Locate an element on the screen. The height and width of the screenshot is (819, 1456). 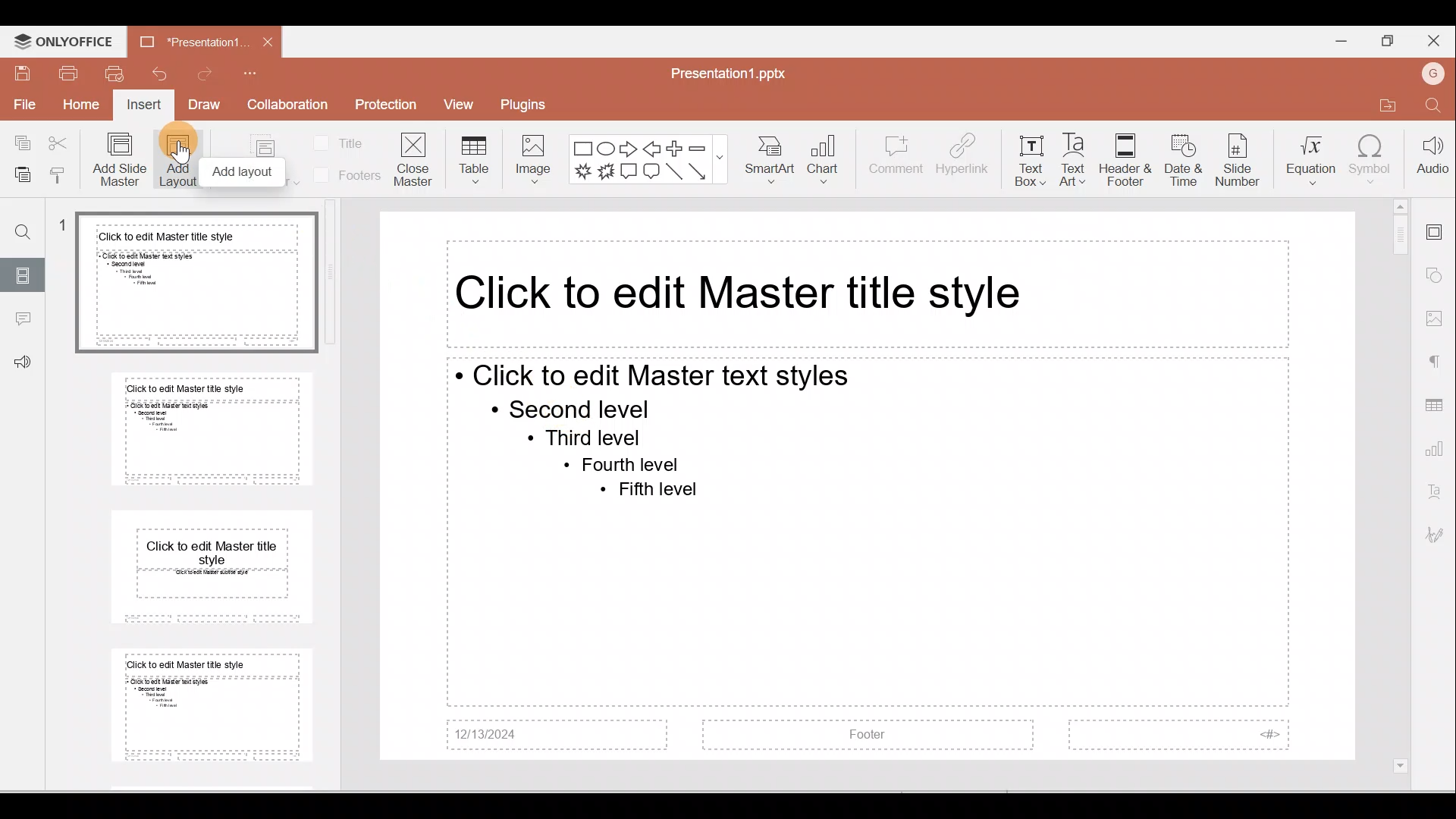
Copy is located at coordinates (19, 141).